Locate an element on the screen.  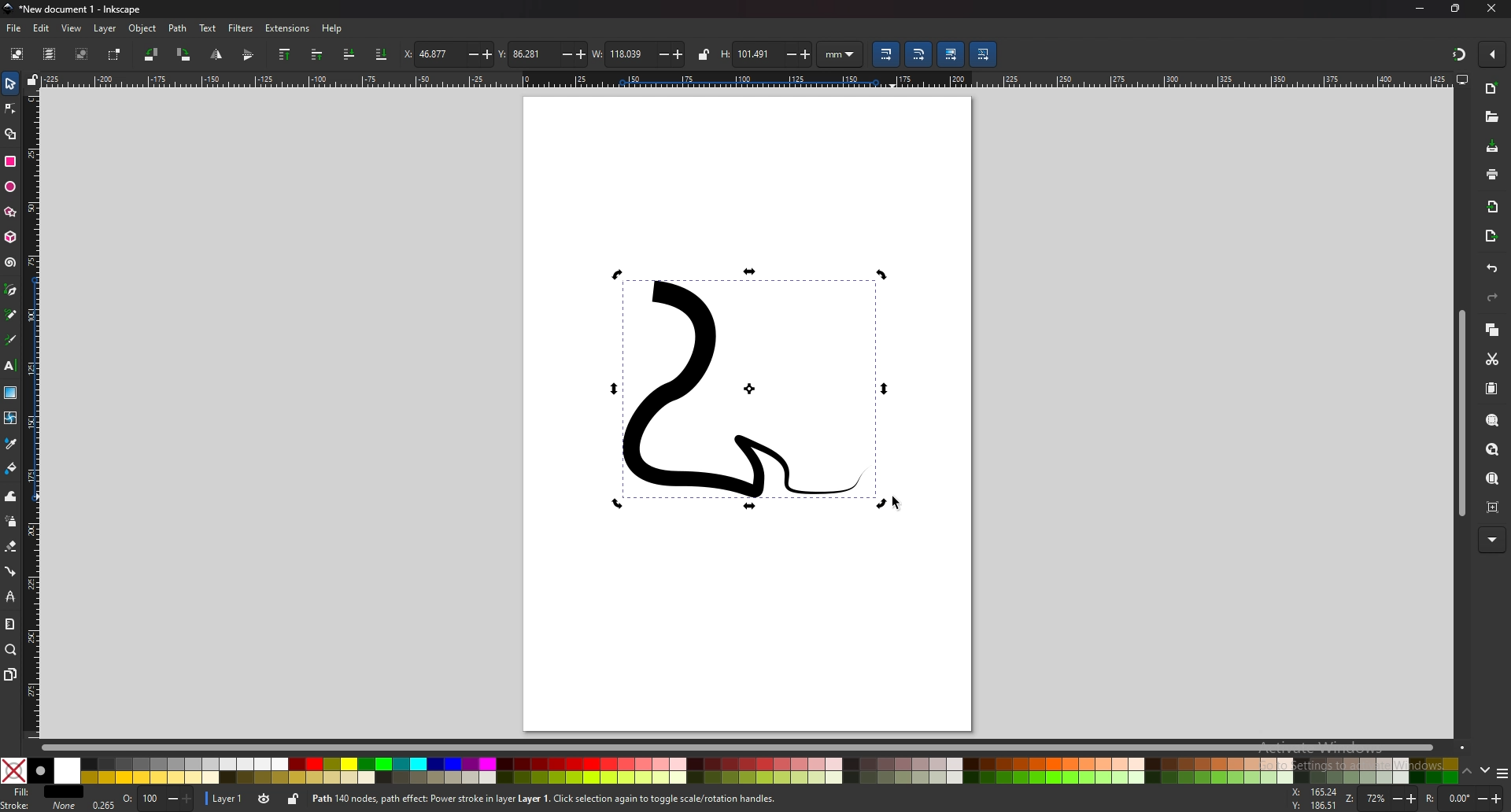
horizontal ruler is located at coordinates (749, 79).